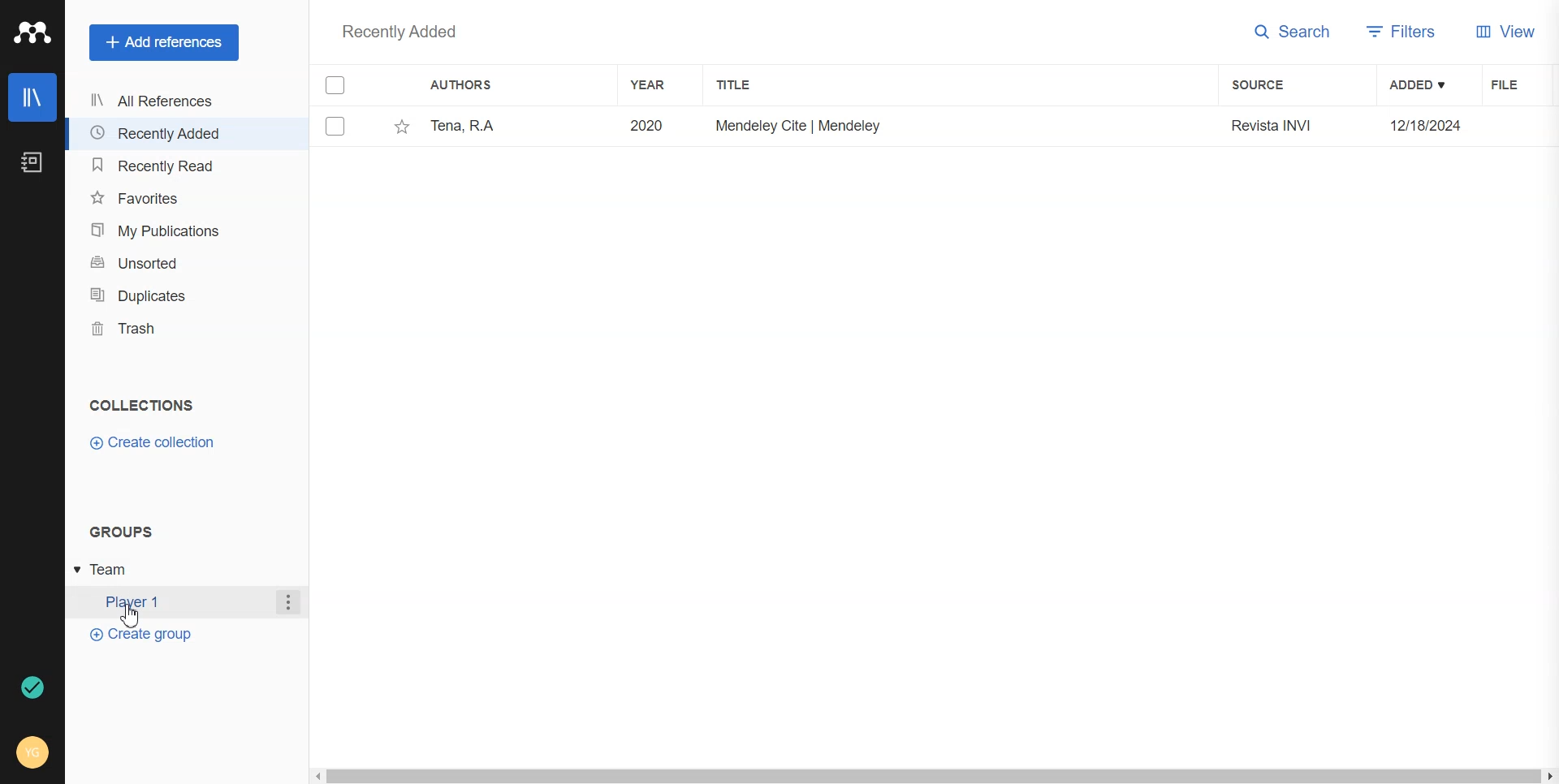 Image resolution: width=1559 pixels, height=784 pixels. I want to click on Account, so click(32, 752).